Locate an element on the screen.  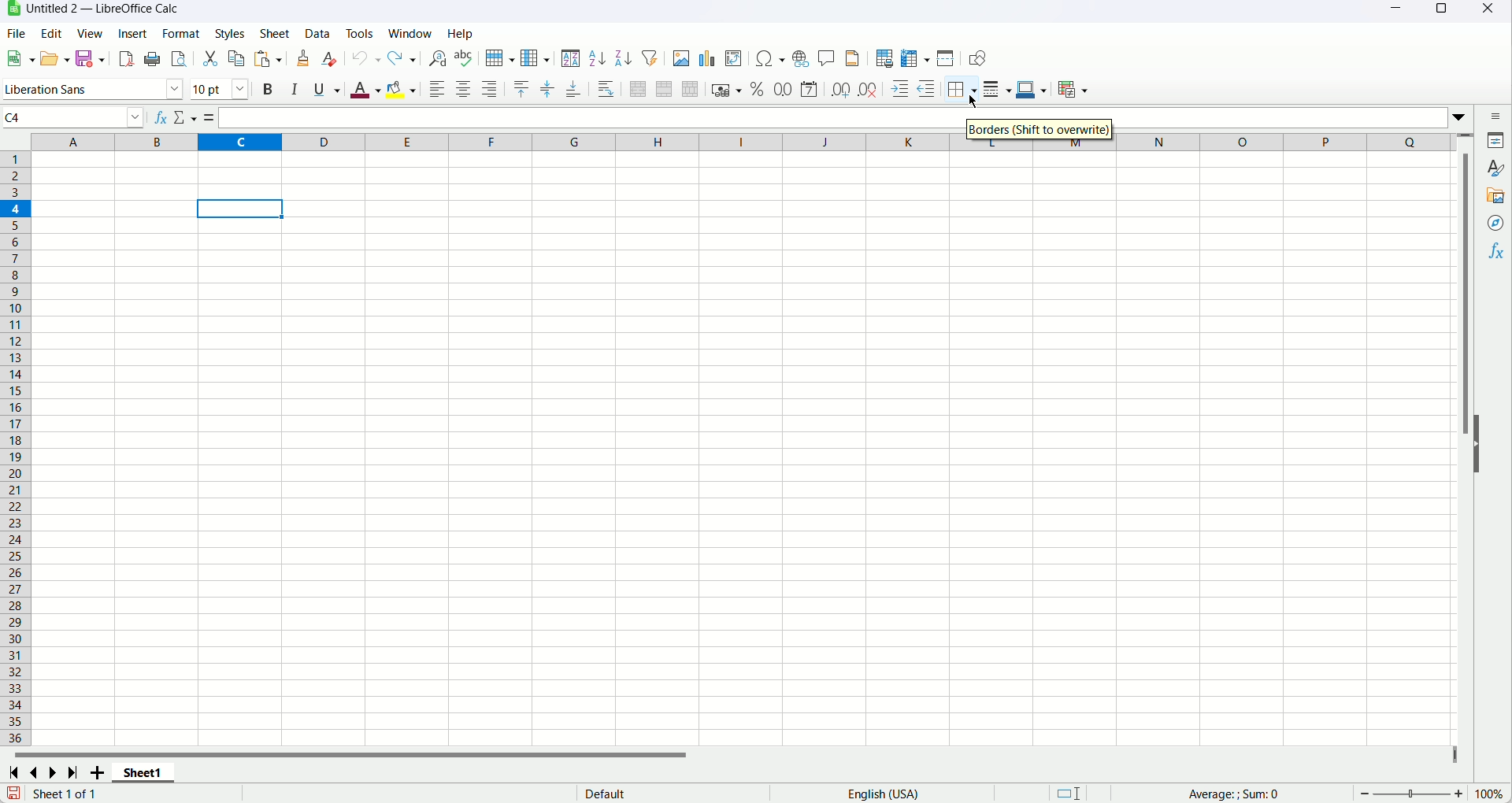
Freeze rows and column is located at coordinates (915, 58).